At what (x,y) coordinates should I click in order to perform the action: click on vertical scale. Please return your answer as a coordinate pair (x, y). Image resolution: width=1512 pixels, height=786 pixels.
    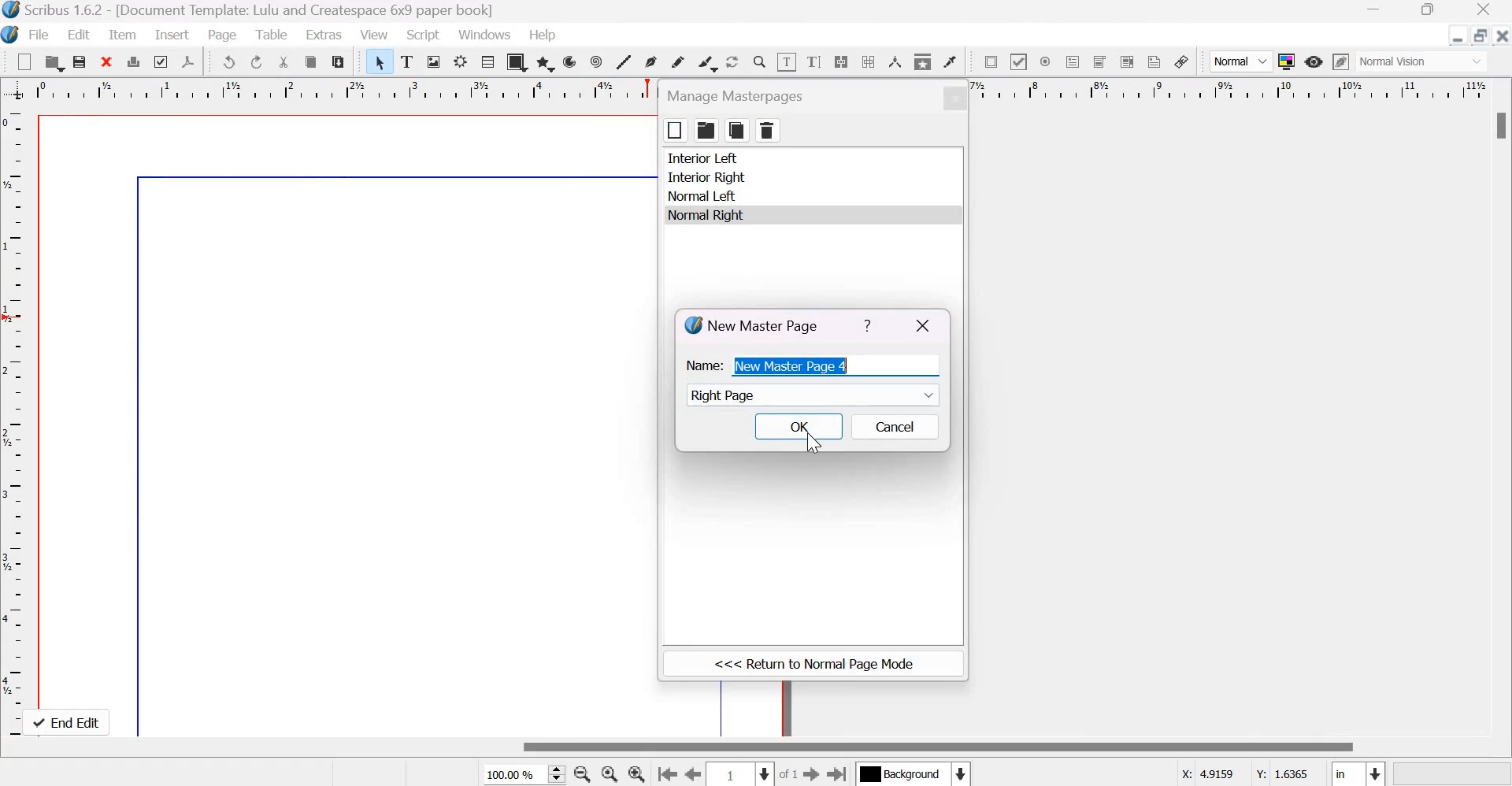
    Looking at the image, I should click on (16, 418).